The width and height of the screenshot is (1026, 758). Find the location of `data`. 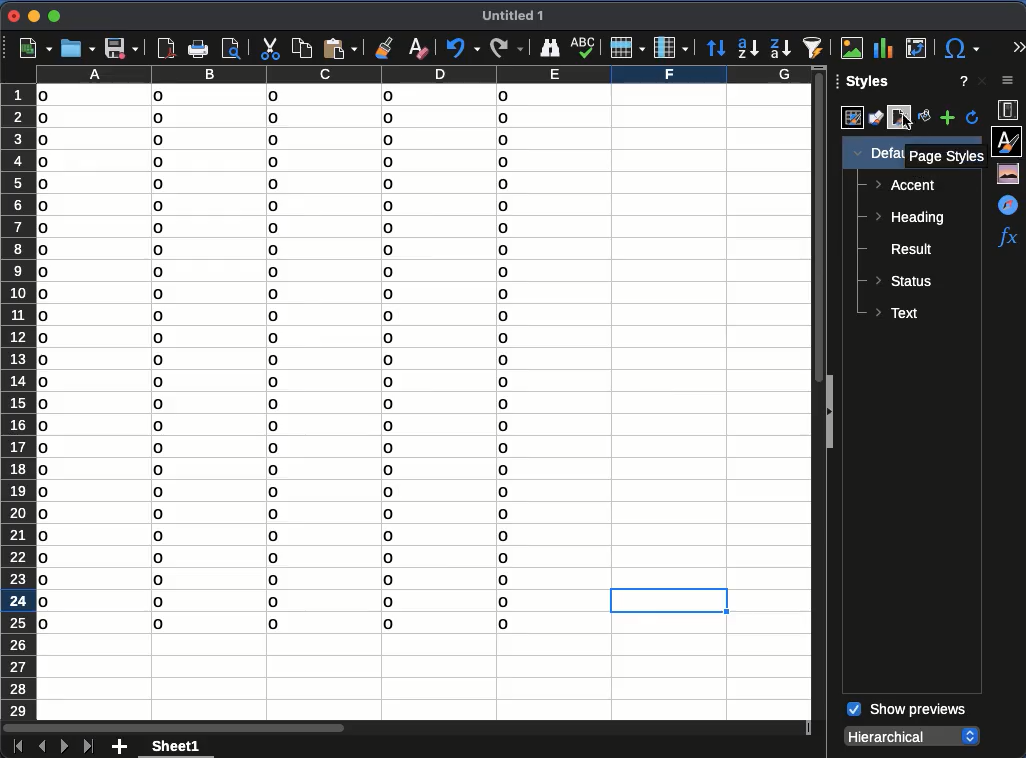

data is located at coordinates (282, 365).